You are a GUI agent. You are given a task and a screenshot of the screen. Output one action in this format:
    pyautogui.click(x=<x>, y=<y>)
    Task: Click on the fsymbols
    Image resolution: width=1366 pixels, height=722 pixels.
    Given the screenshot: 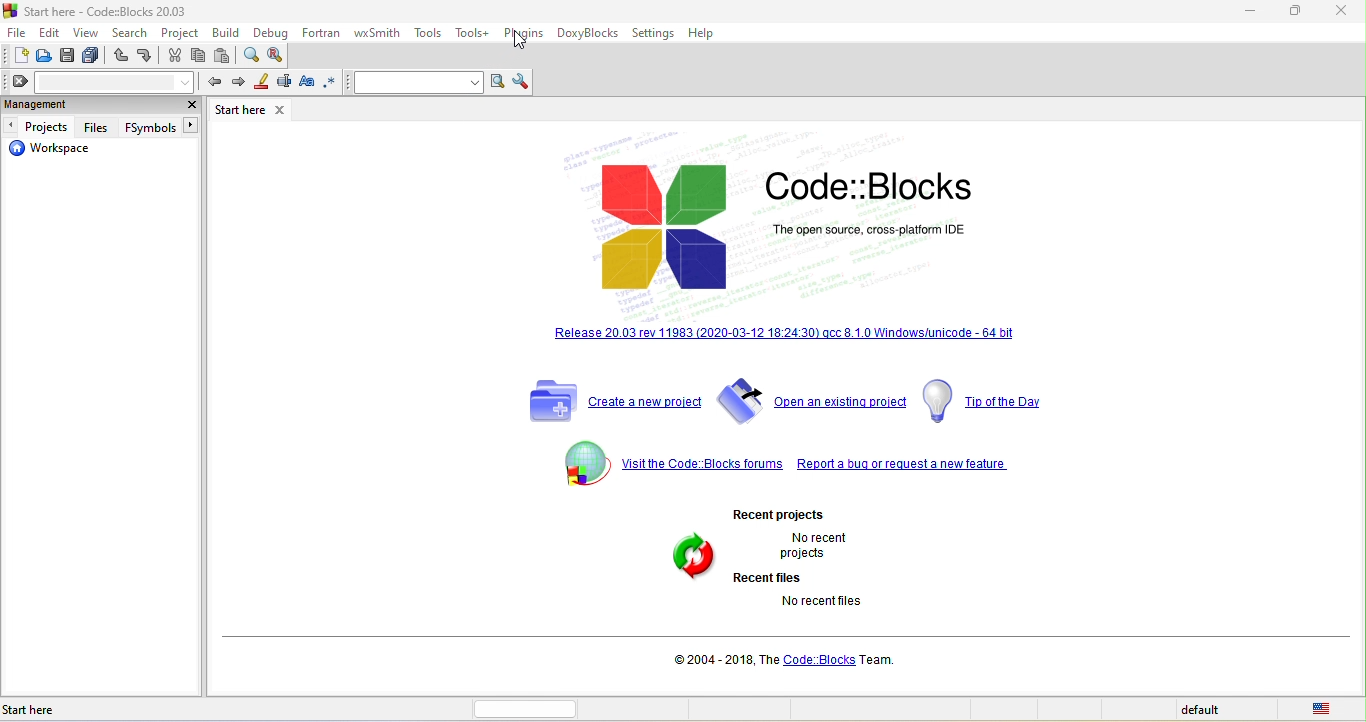 What is the action you would take?
    pyautogui.click(x=158, y=126)
    